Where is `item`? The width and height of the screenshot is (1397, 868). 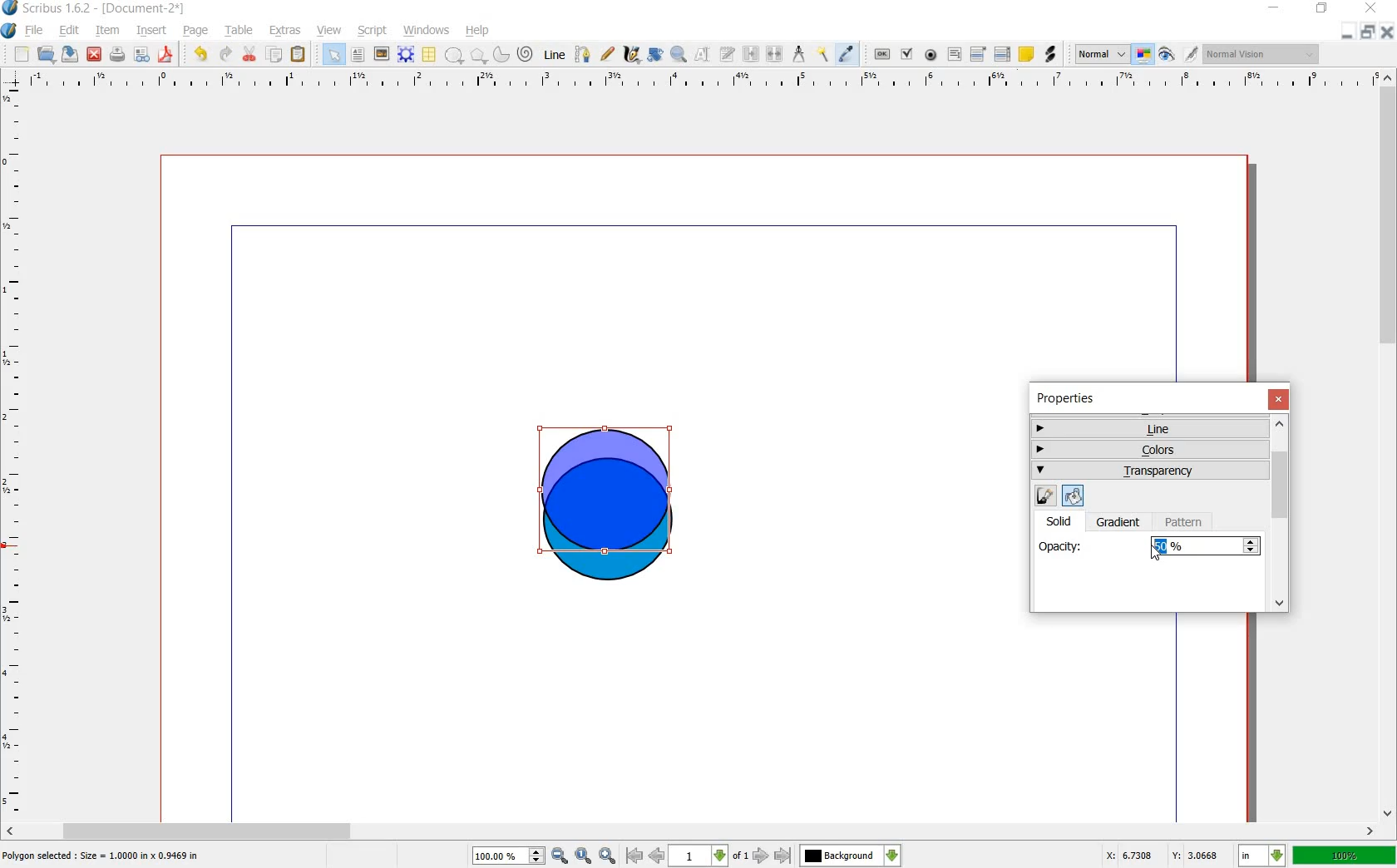
item is located at coordinates (108, 31).